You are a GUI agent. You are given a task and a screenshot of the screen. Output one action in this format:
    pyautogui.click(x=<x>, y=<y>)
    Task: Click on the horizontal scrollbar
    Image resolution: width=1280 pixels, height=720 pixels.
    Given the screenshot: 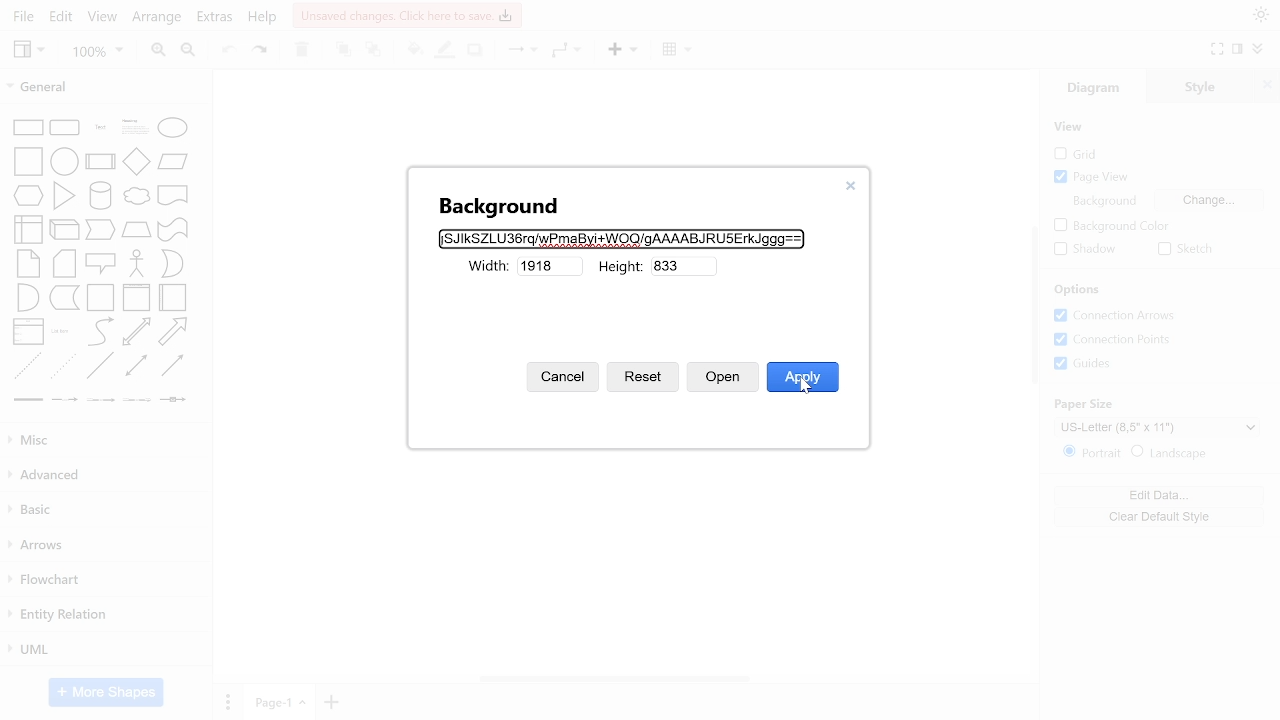 What is the action you would take?
    pyautogui.click(x=616, y=678)
    